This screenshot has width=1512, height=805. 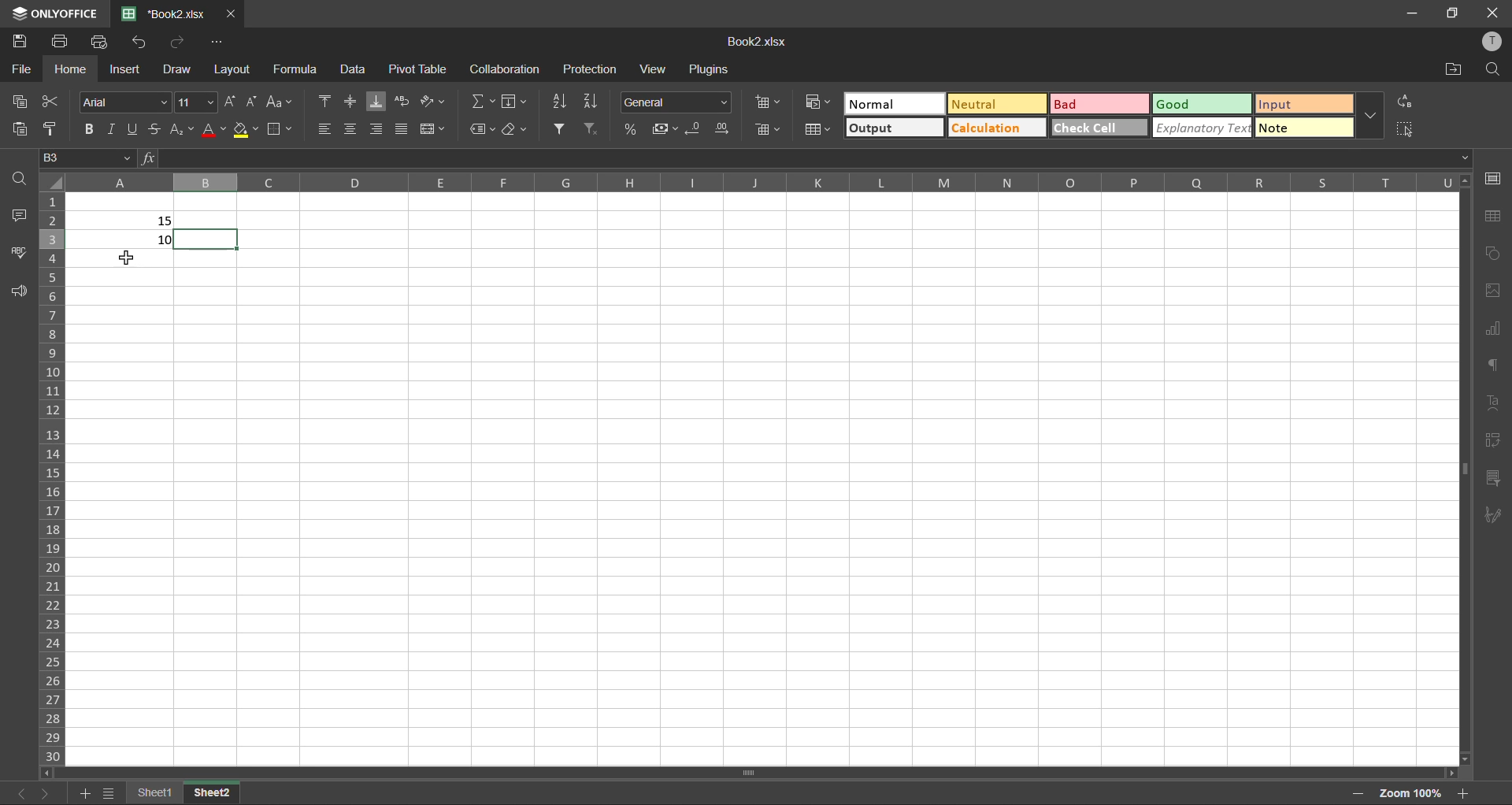 I want to click on charts, so click(x=1492, y=329).